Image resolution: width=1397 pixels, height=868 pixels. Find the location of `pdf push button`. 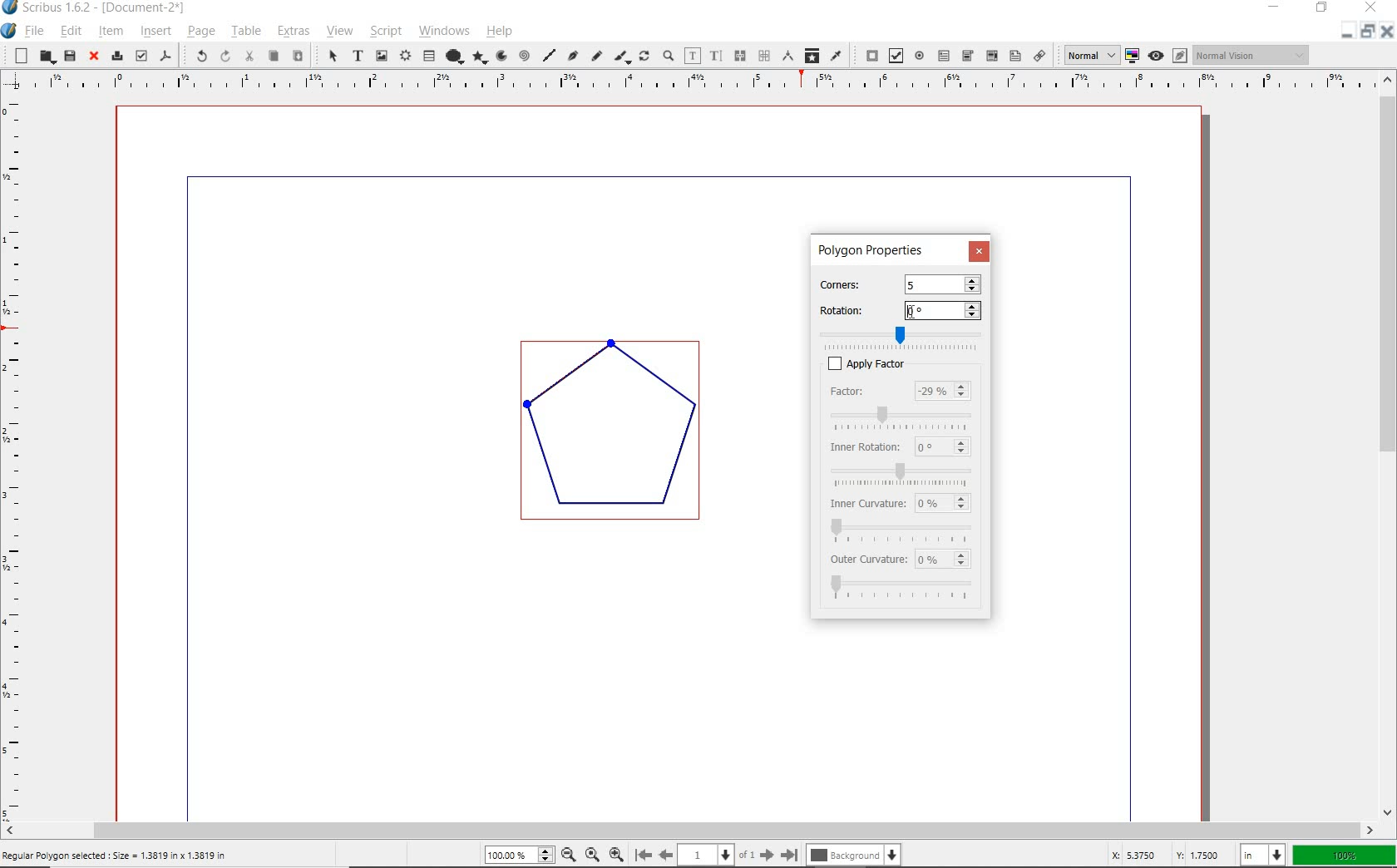

pdf push button is located at coordinates (868, 55).